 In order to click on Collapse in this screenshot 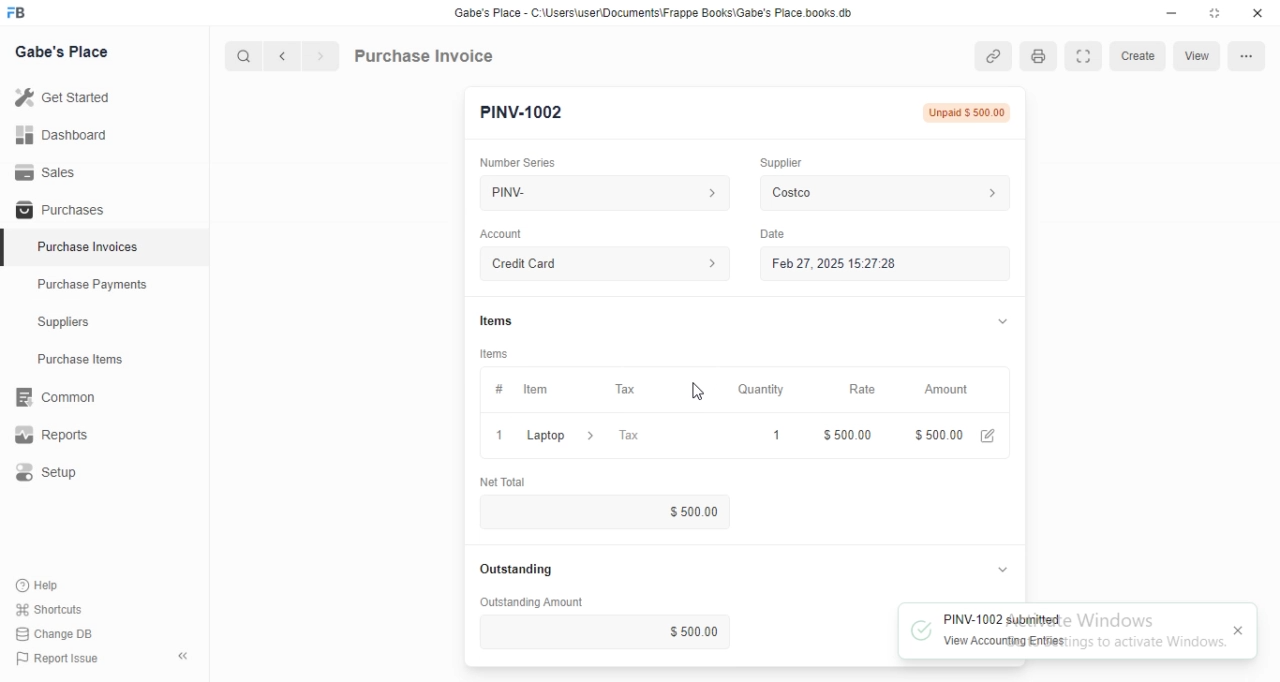, I will do `click(183, 656)`.